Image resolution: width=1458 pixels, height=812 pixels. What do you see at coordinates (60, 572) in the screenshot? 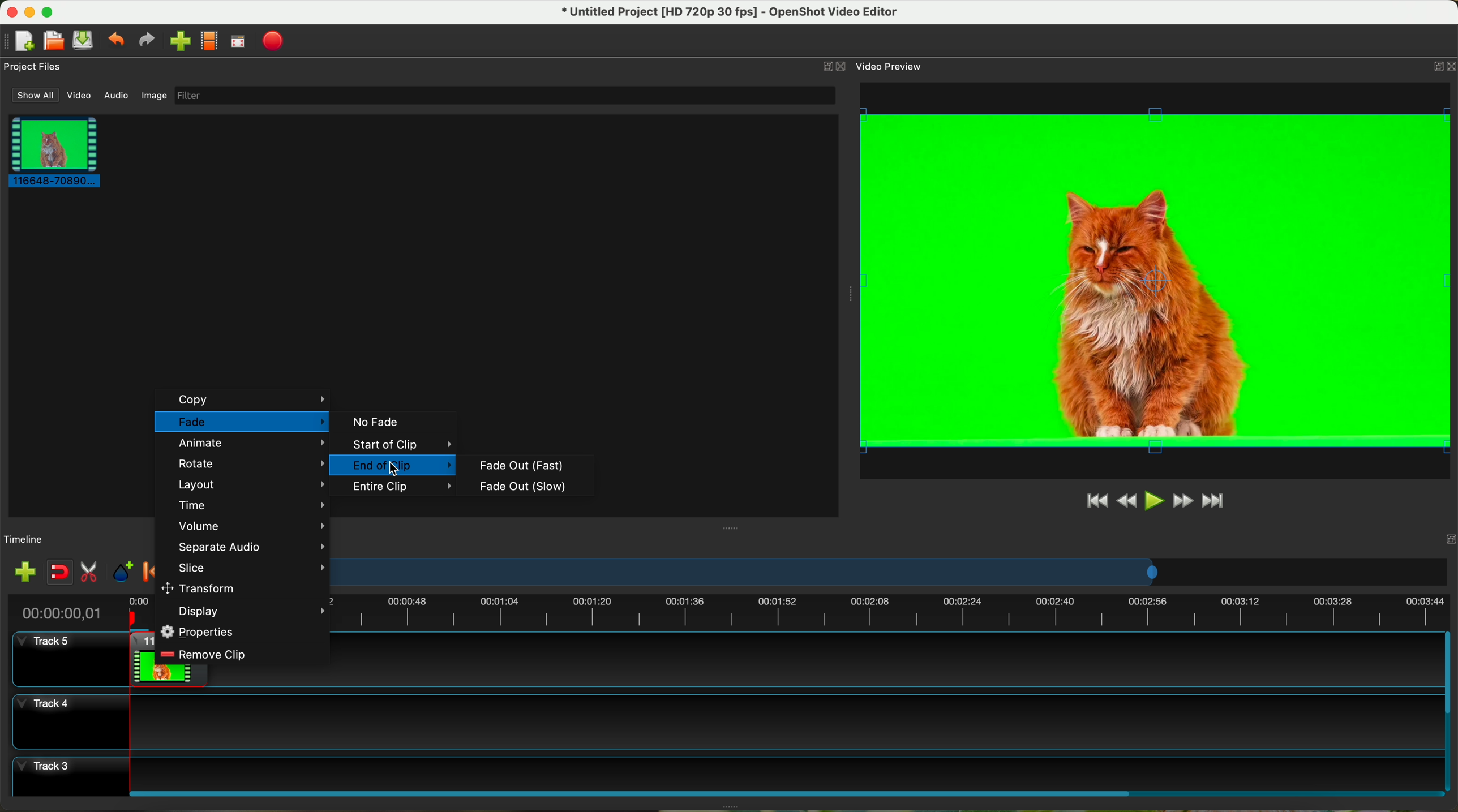
I see `disable snapping` at bounding box center [60, 572].